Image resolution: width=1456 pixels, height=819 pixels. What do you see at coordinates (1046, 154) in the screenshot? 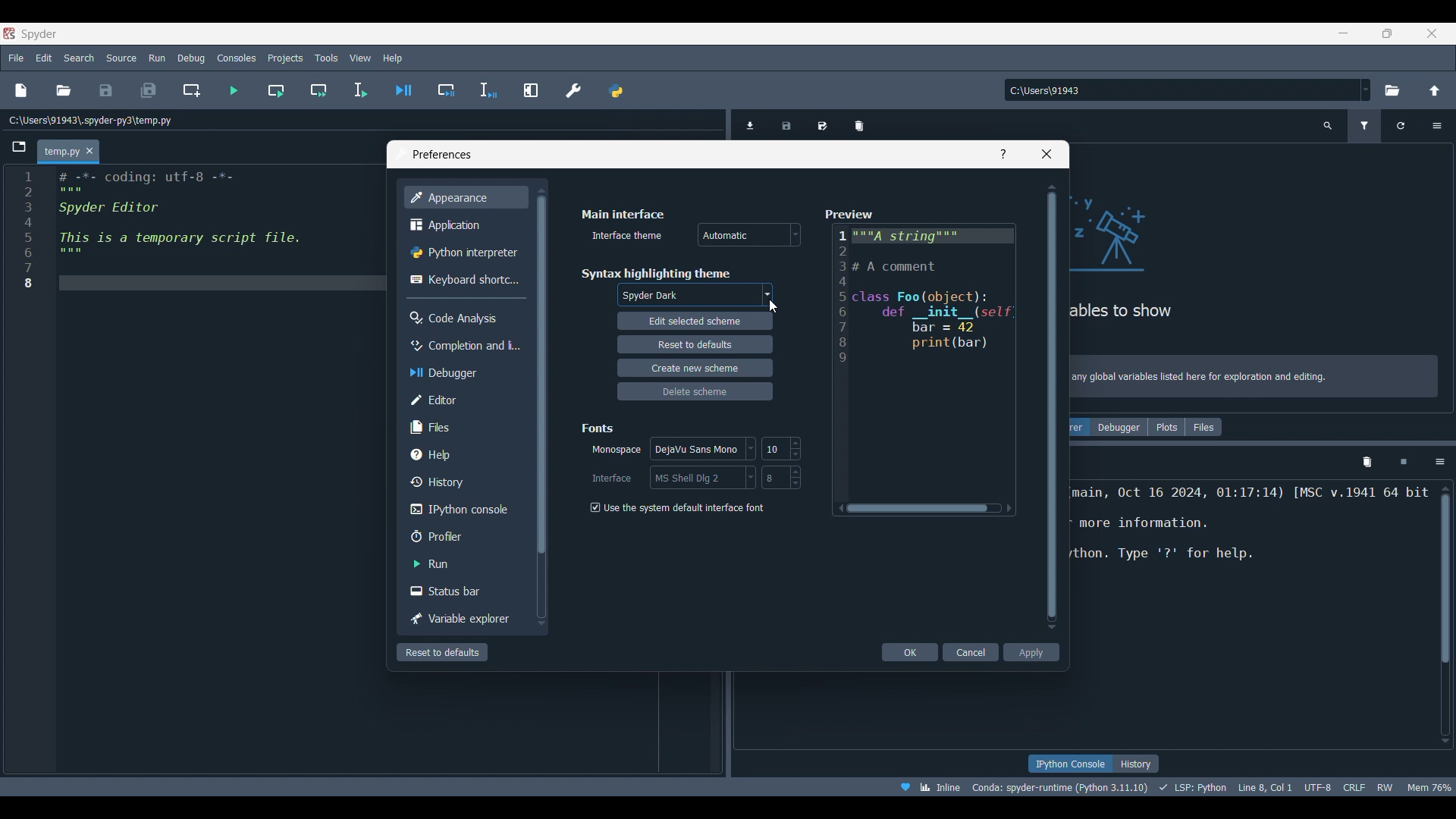
I see `Close` at bounding box center [1046, 154].